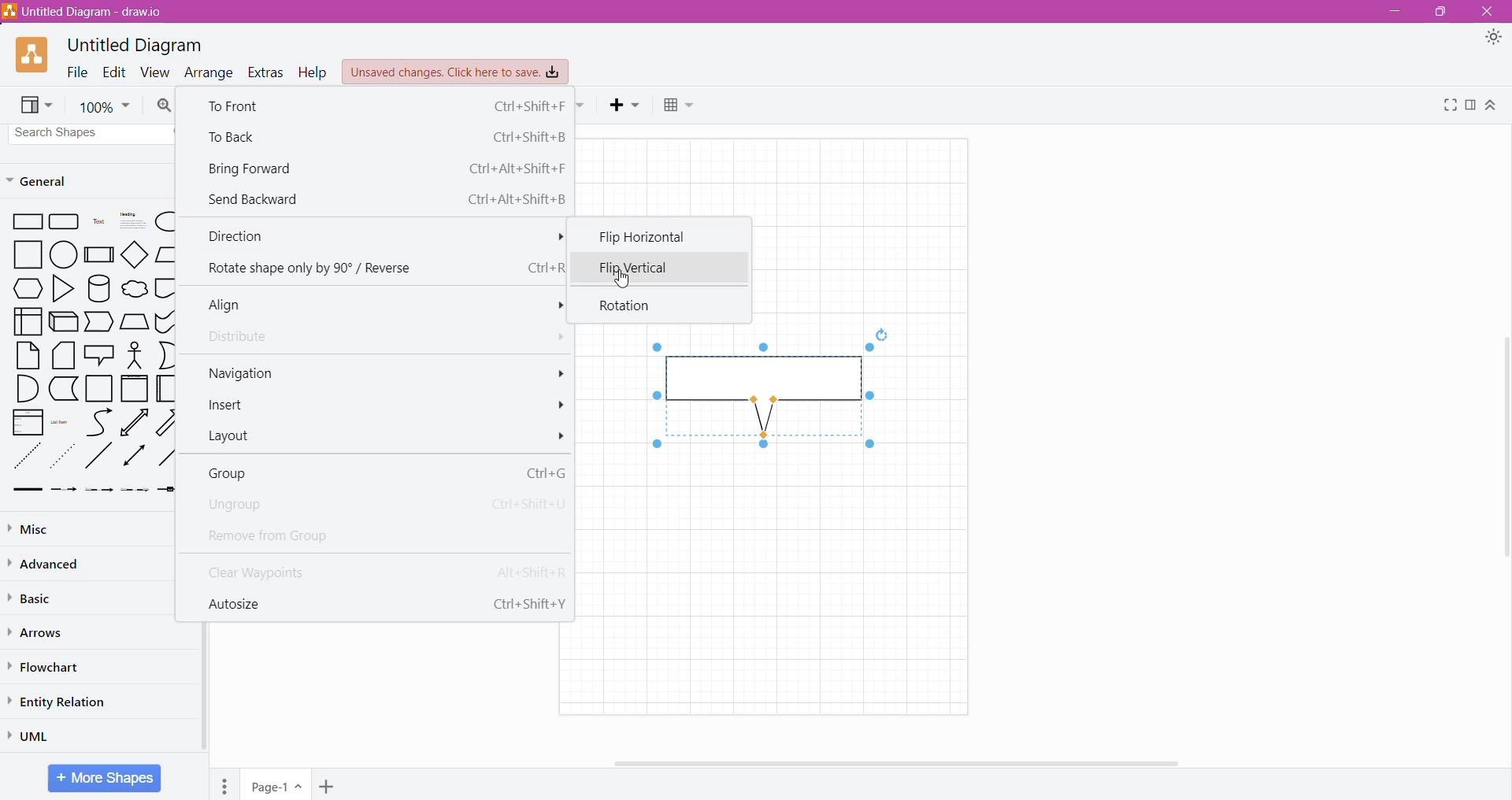 This screenshot has width=1512, height=800. Describe the element at coordinates (28, 422) in the screenshot. I see `List Box` at that location.